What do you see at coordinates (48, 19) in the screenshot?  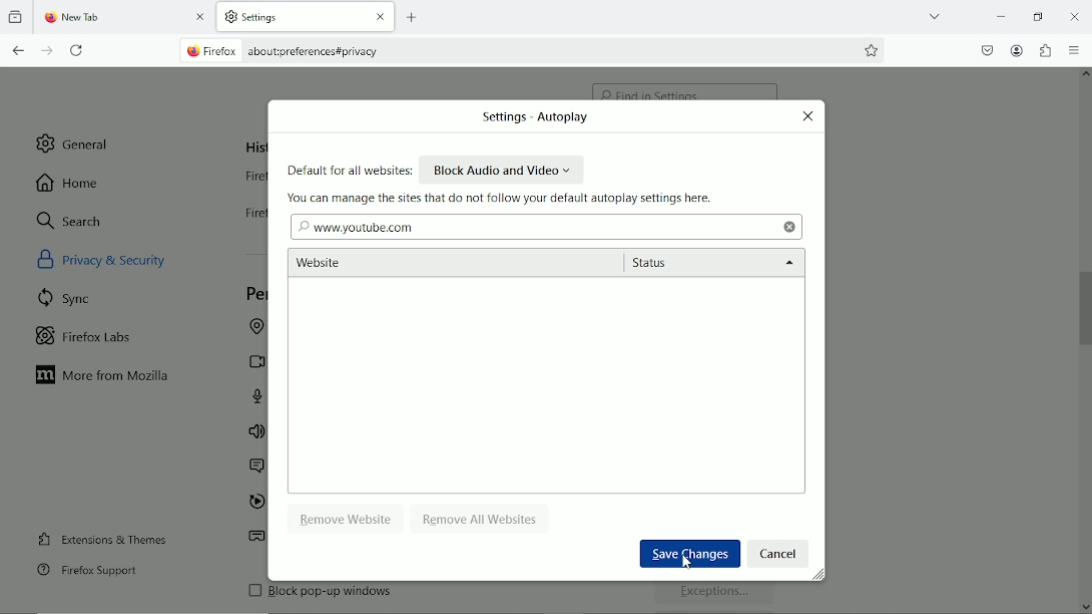 I see `firefox logo` at bounding box center [48, 19].